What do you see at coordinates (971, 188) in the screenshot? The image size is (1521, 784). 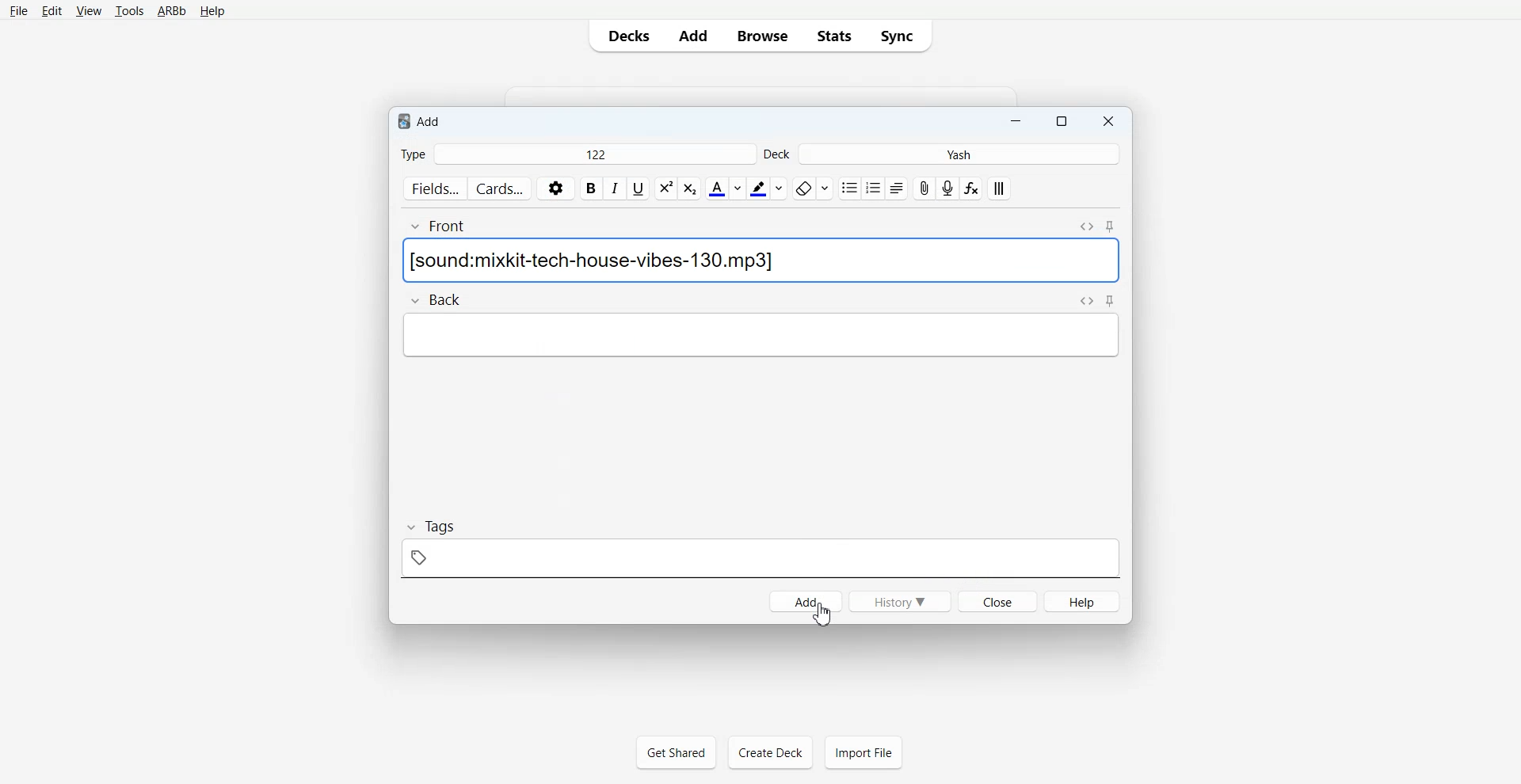 I see `function` at bounding box center [971, 188].